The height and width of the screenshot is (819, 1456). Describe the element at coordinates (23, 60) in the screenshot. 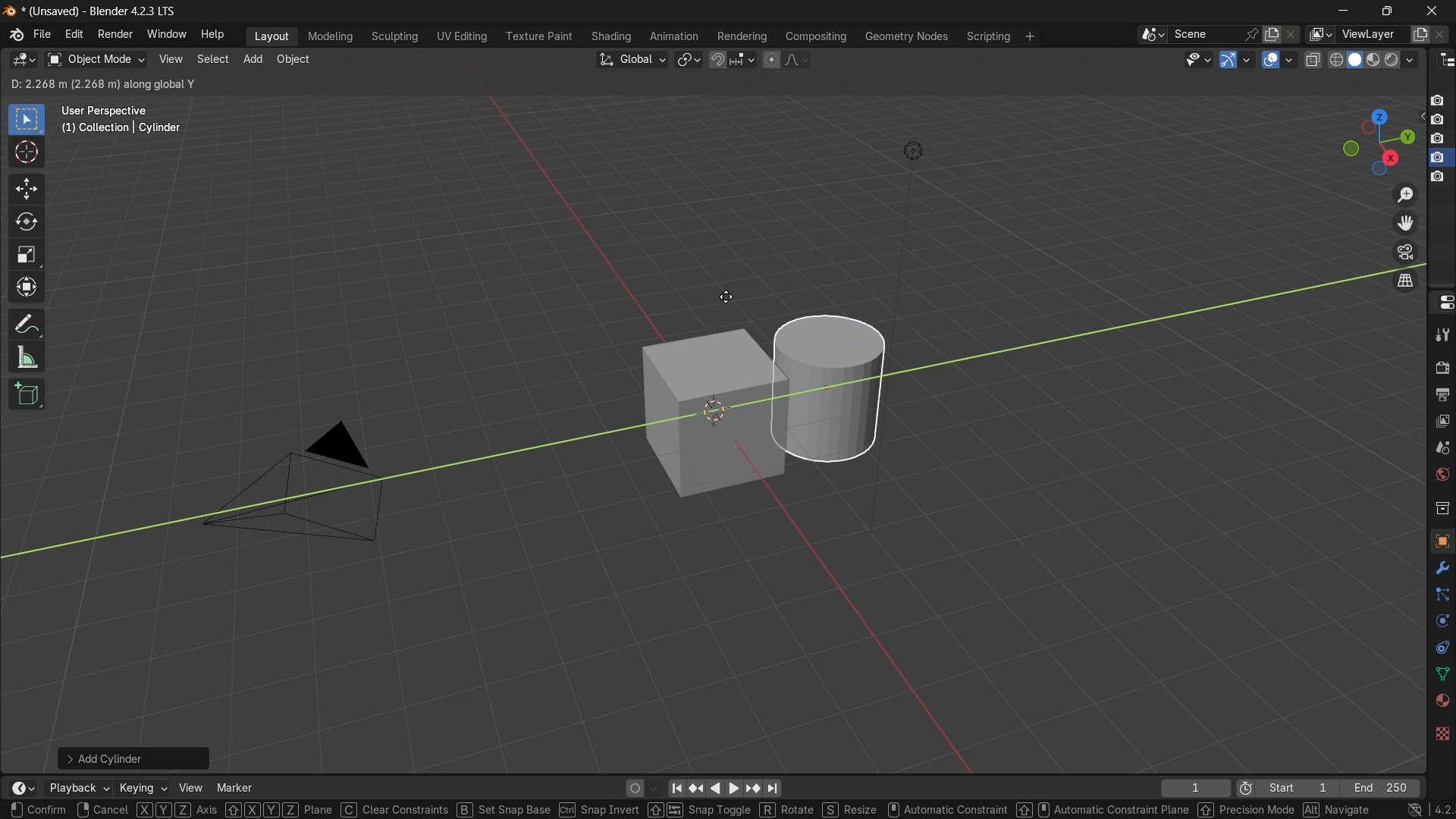

I see `3d viewport` at that location.